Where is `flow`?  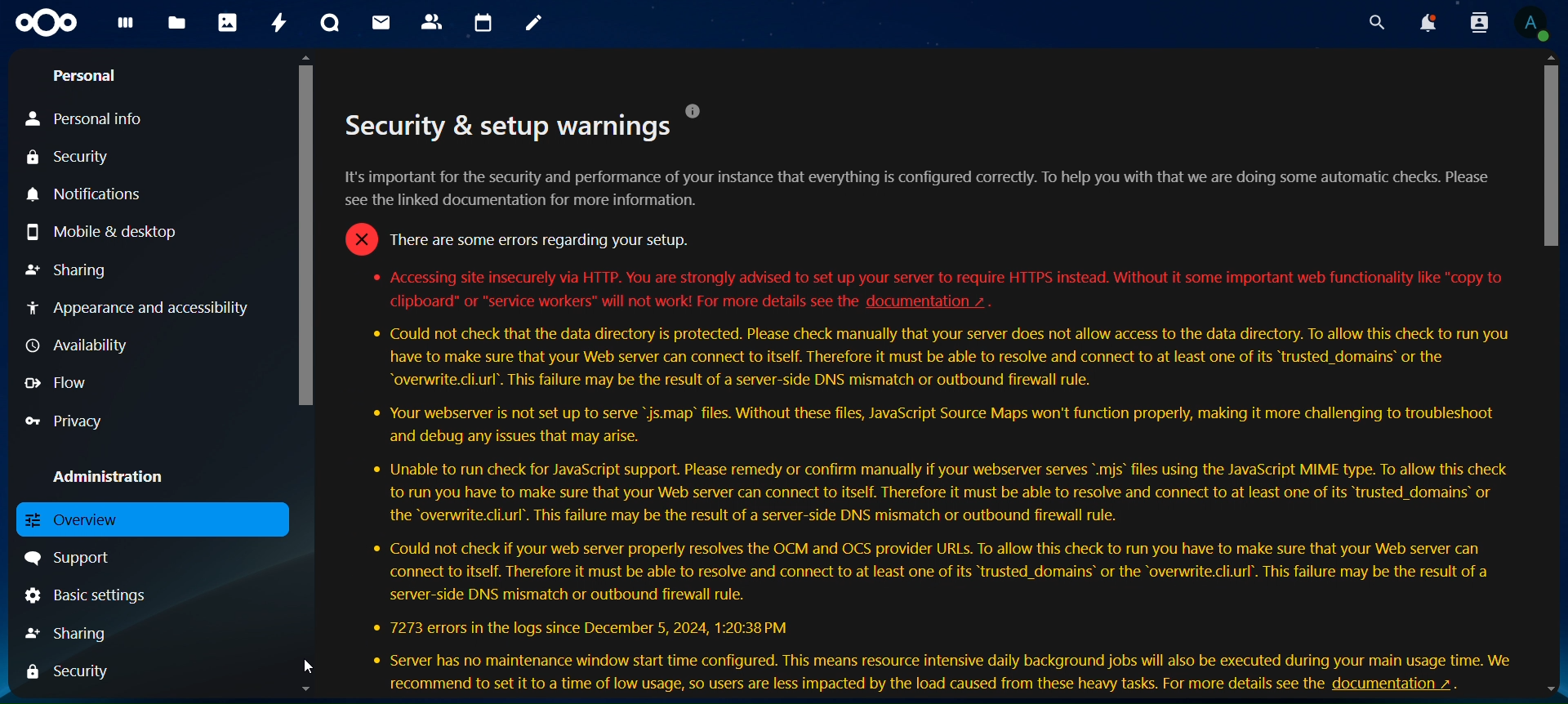 flow is located at coordinates (80, 381).